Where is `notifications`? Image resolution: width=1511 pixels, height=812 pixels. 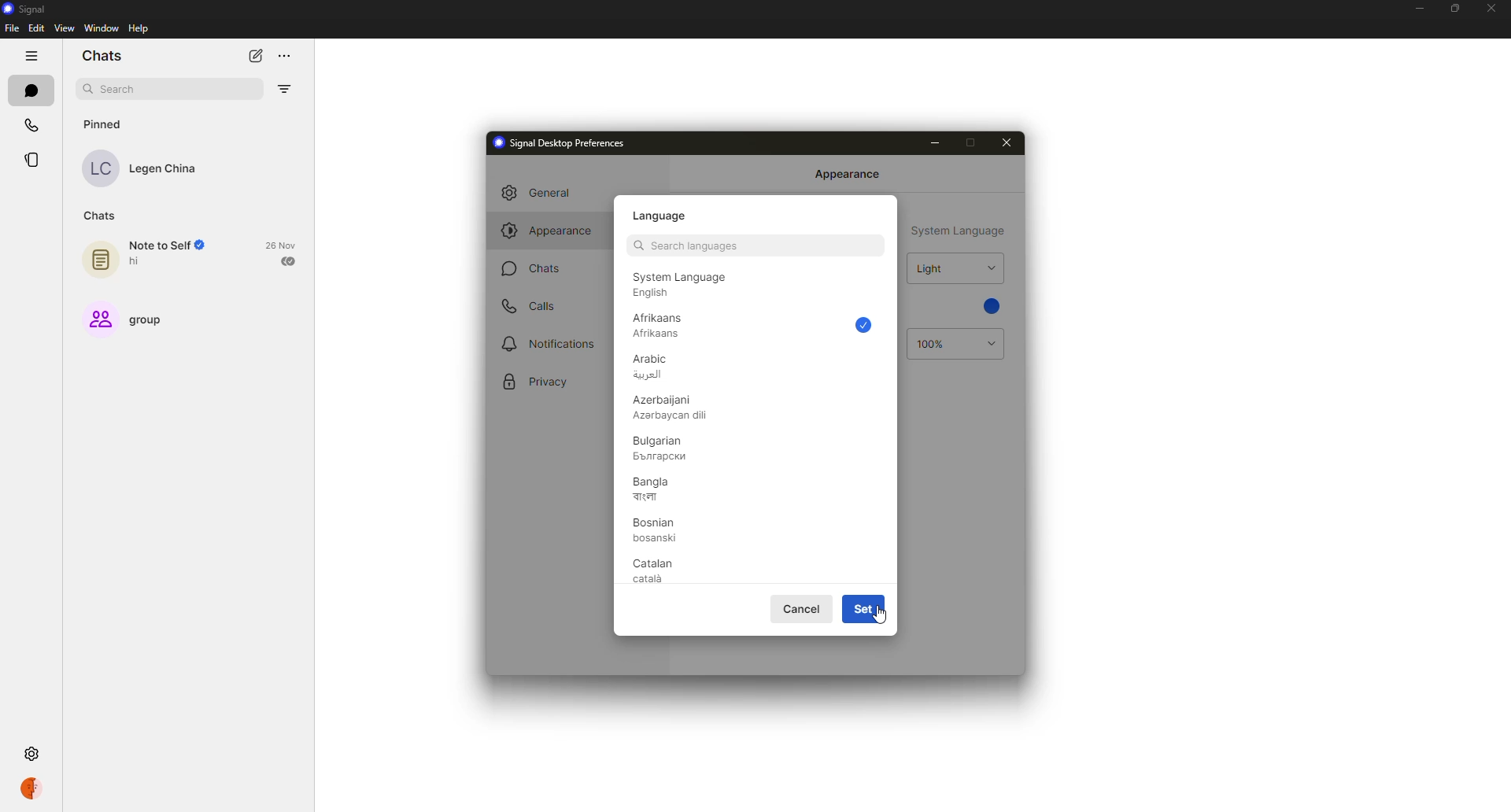
notifications is located at coordinates (550, 342).